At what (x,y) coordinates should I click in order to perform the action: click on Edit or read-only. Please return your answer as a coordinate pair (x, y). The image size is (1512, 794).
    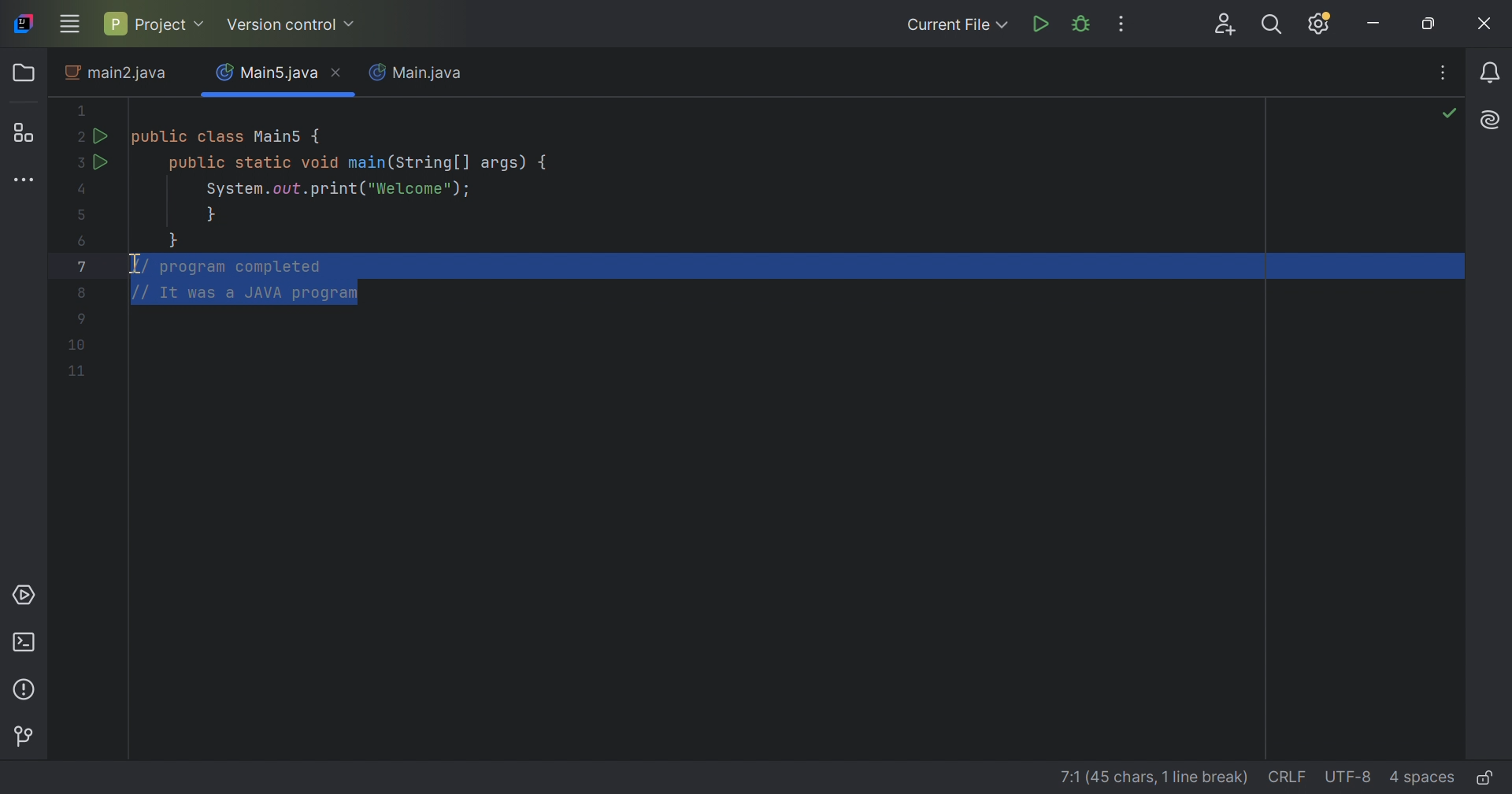
    Looking at the image, I should click on (1489, 777).